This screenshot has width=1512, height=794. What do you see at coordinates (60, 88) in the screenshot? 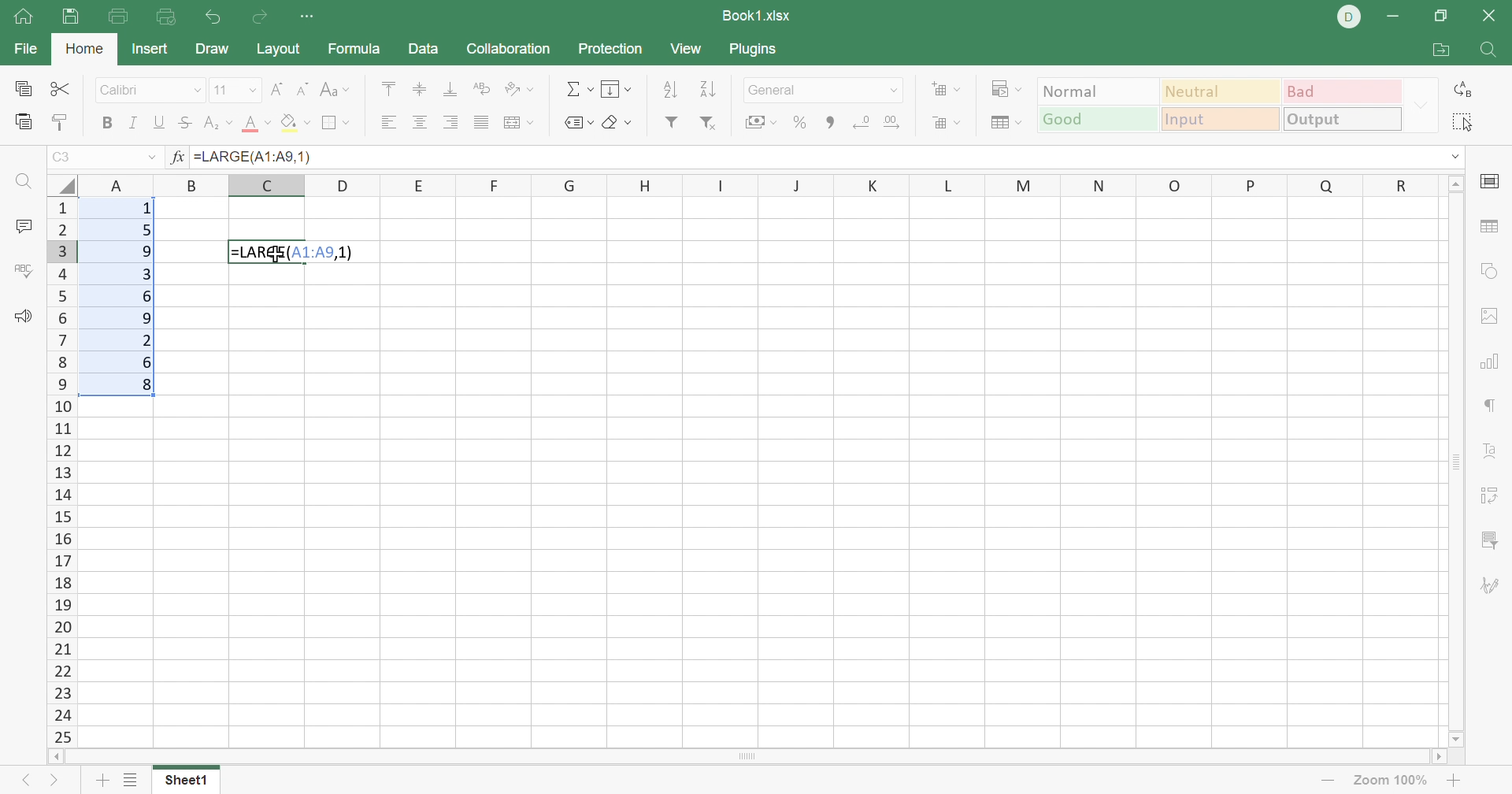
I see `Cut` at bounding box center [60, 88].